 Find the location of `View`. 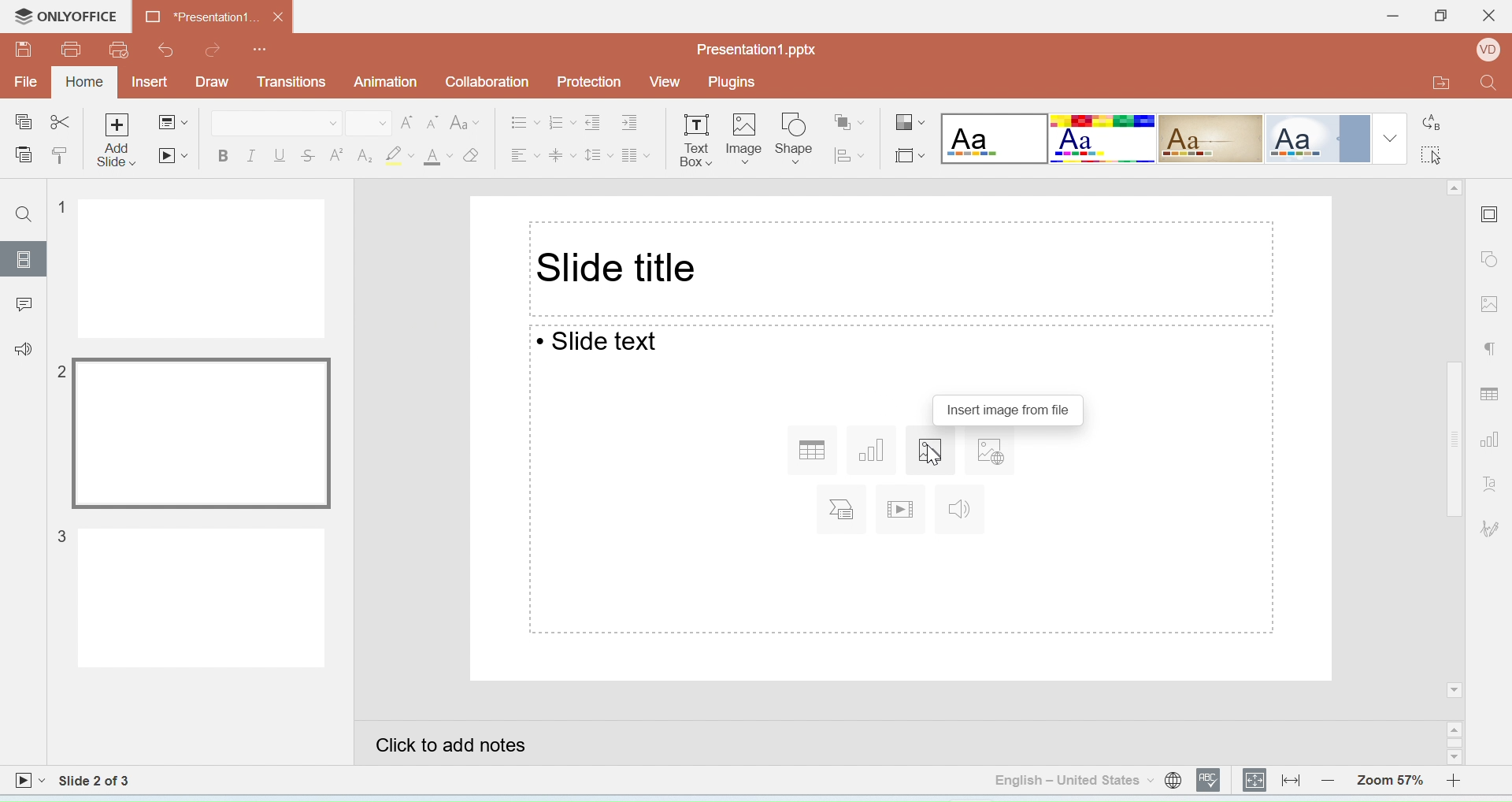

View is located at coordinates (665, 82).